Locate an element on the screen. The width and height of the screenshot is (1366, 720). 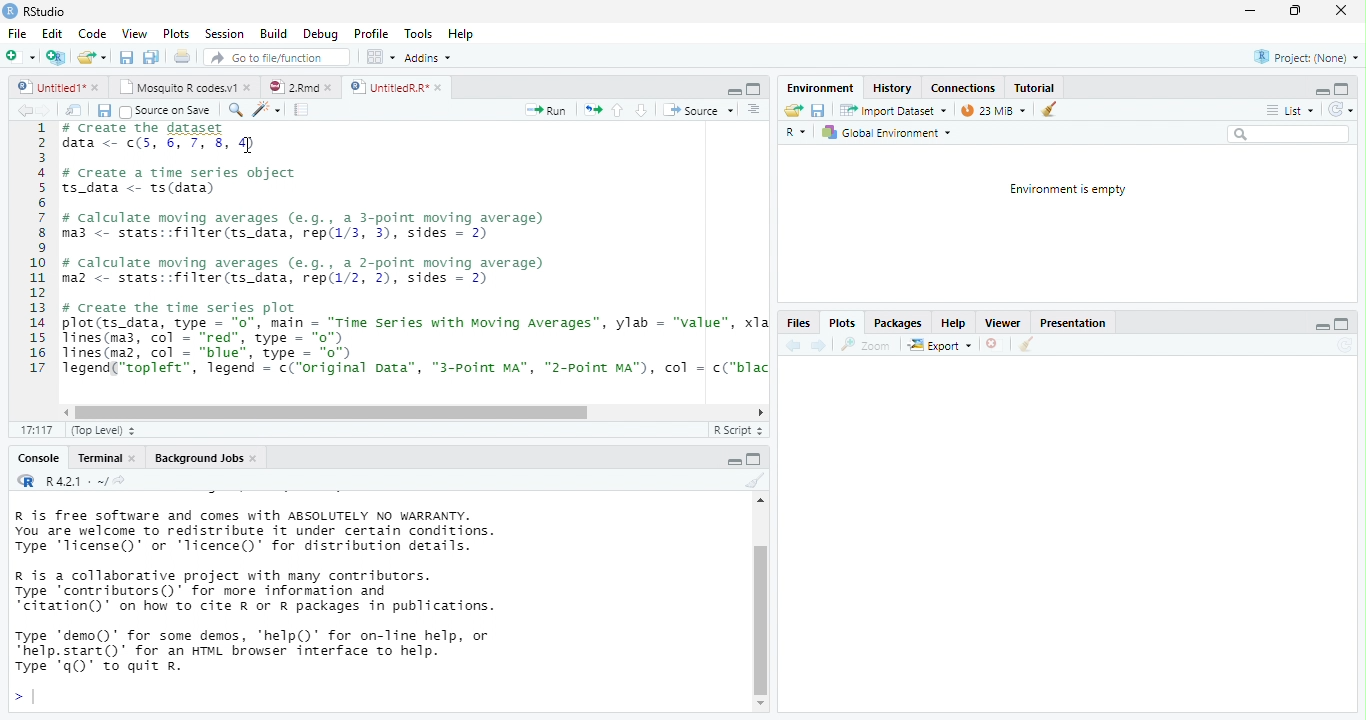
R is located at coordinates (798, 134).